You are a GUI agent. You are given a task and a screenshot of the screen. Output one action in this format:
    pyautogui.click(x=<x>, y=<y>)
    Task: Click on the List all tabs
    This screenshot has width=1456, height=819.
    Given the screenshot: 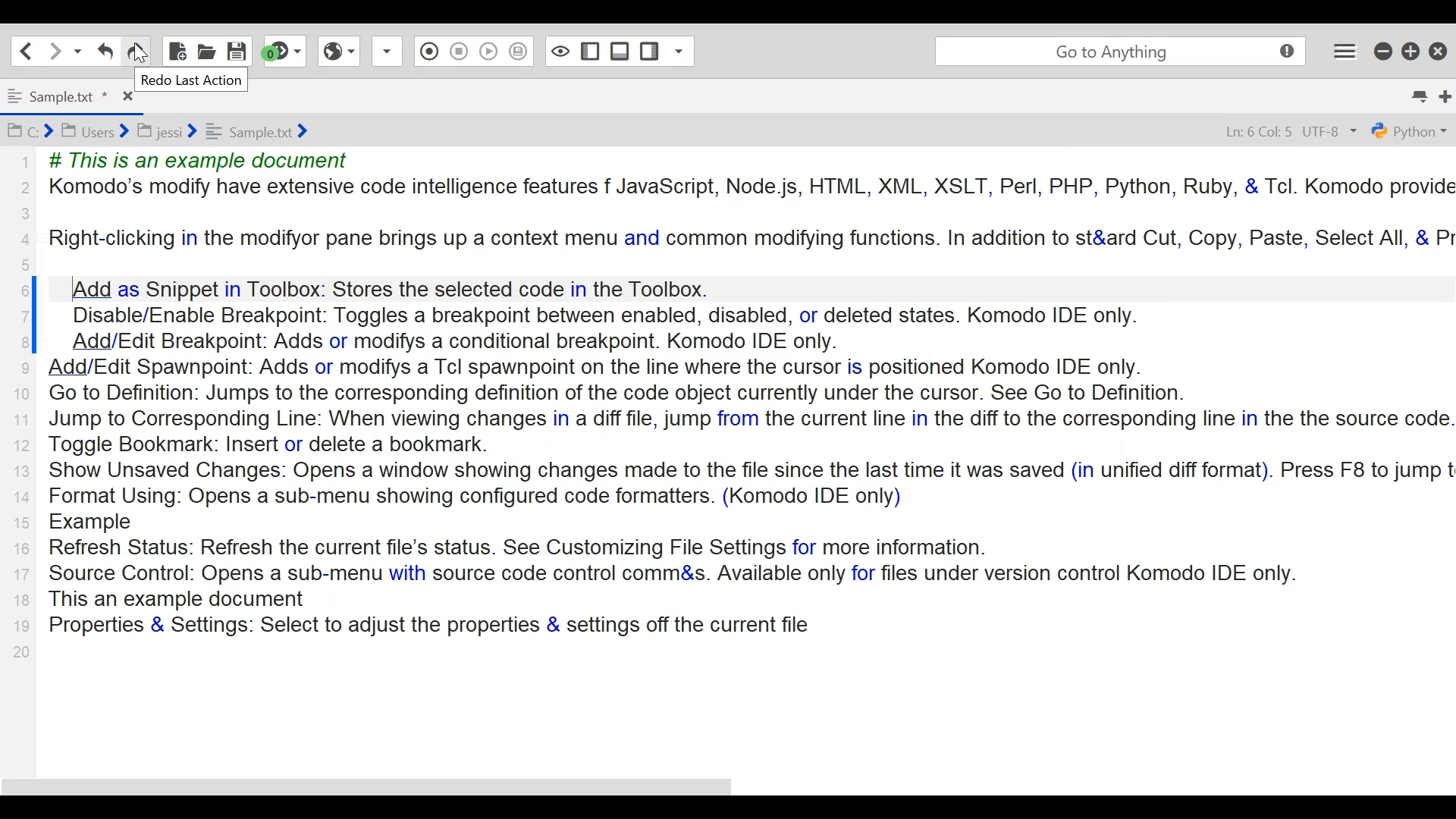 What is the action you would take?
    pyautogui.click(x=1419, y=96)
    